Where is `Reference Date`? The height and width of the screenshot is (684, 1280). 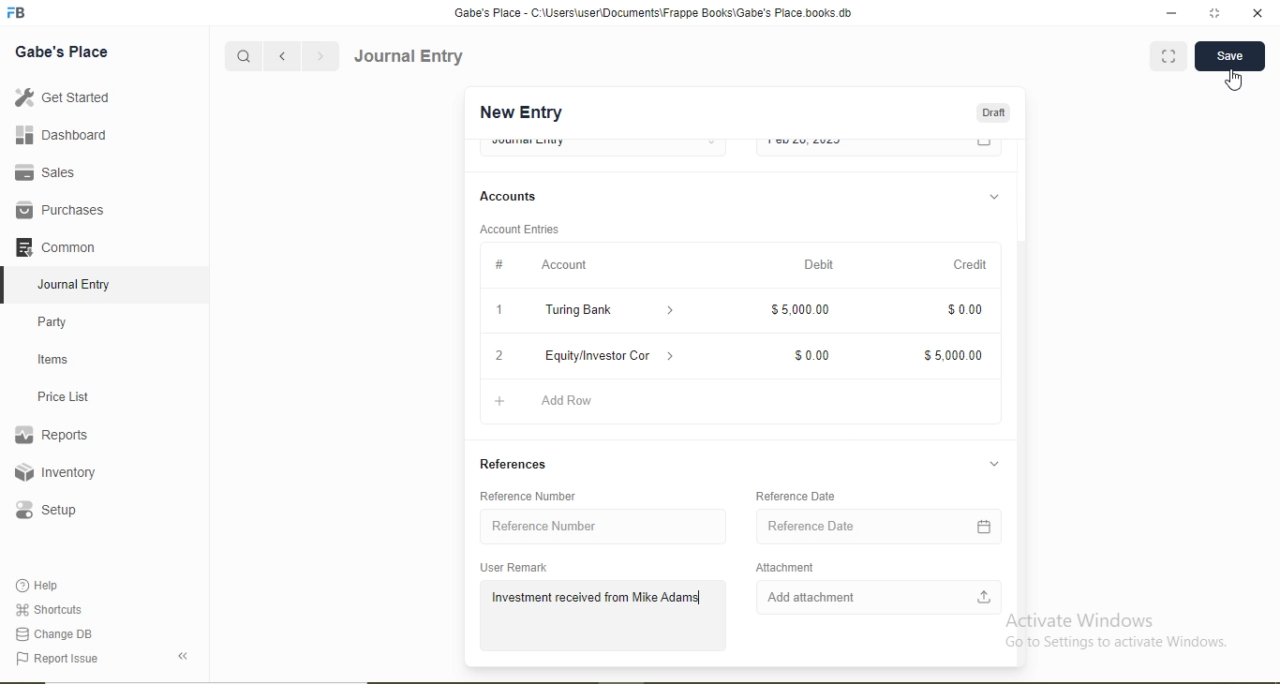
Reference Date is located at coordinates (812, 526).